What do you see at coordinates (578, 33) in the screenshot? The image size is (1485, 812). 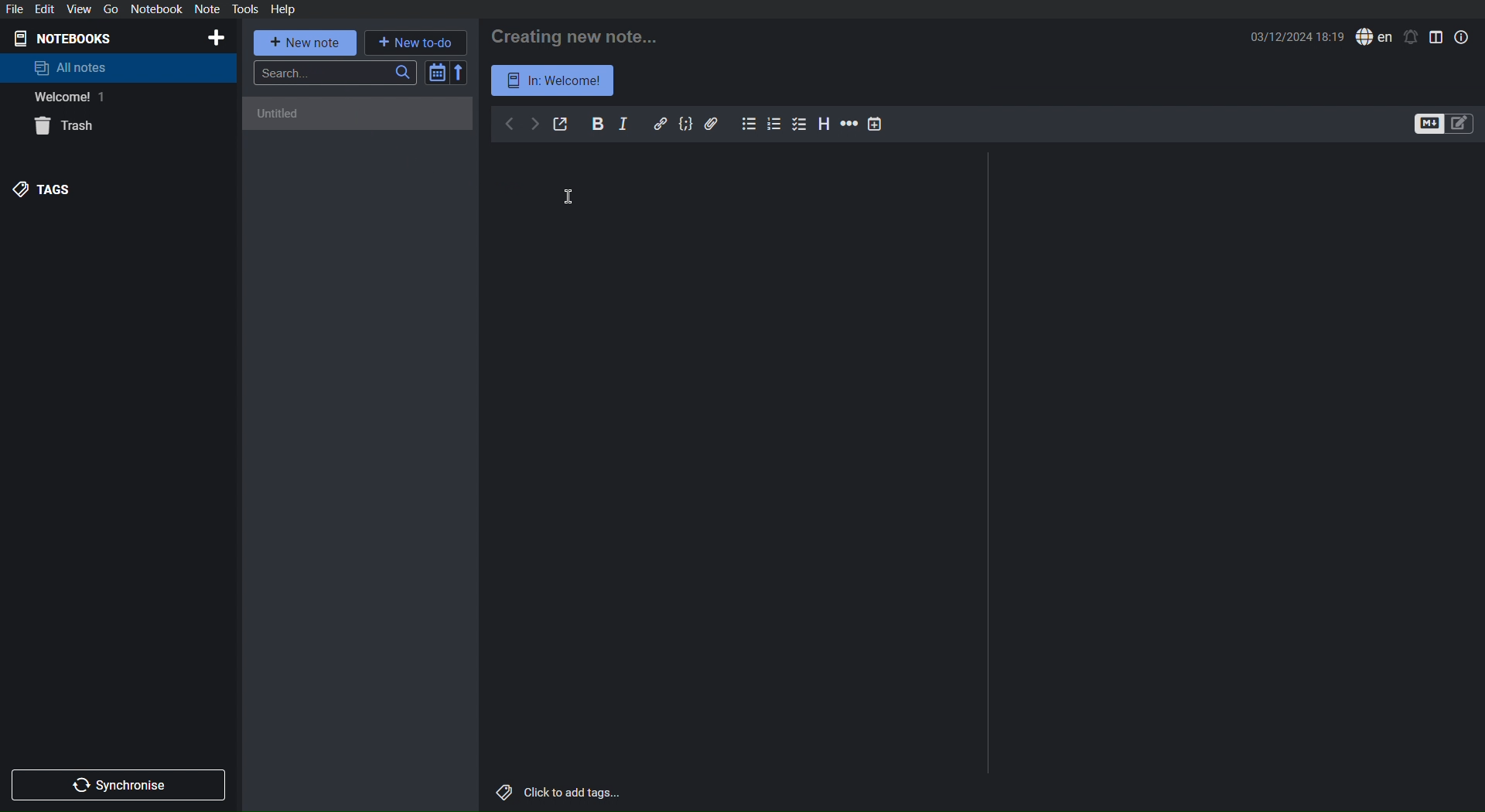 I see `Creating new note` at bounding box center [578, 33].